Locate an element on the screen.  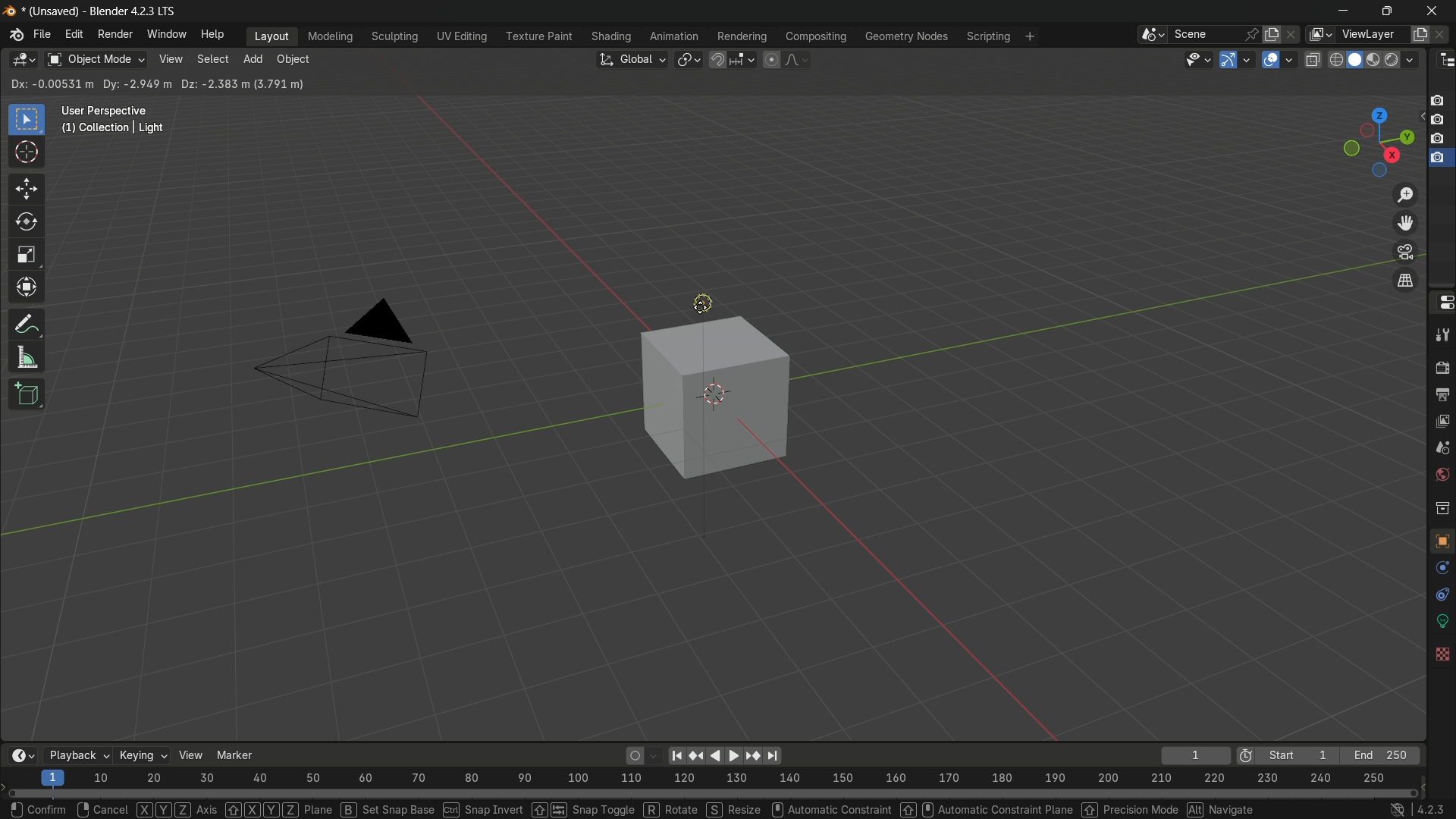
world is located at coordinates (1442, 476).